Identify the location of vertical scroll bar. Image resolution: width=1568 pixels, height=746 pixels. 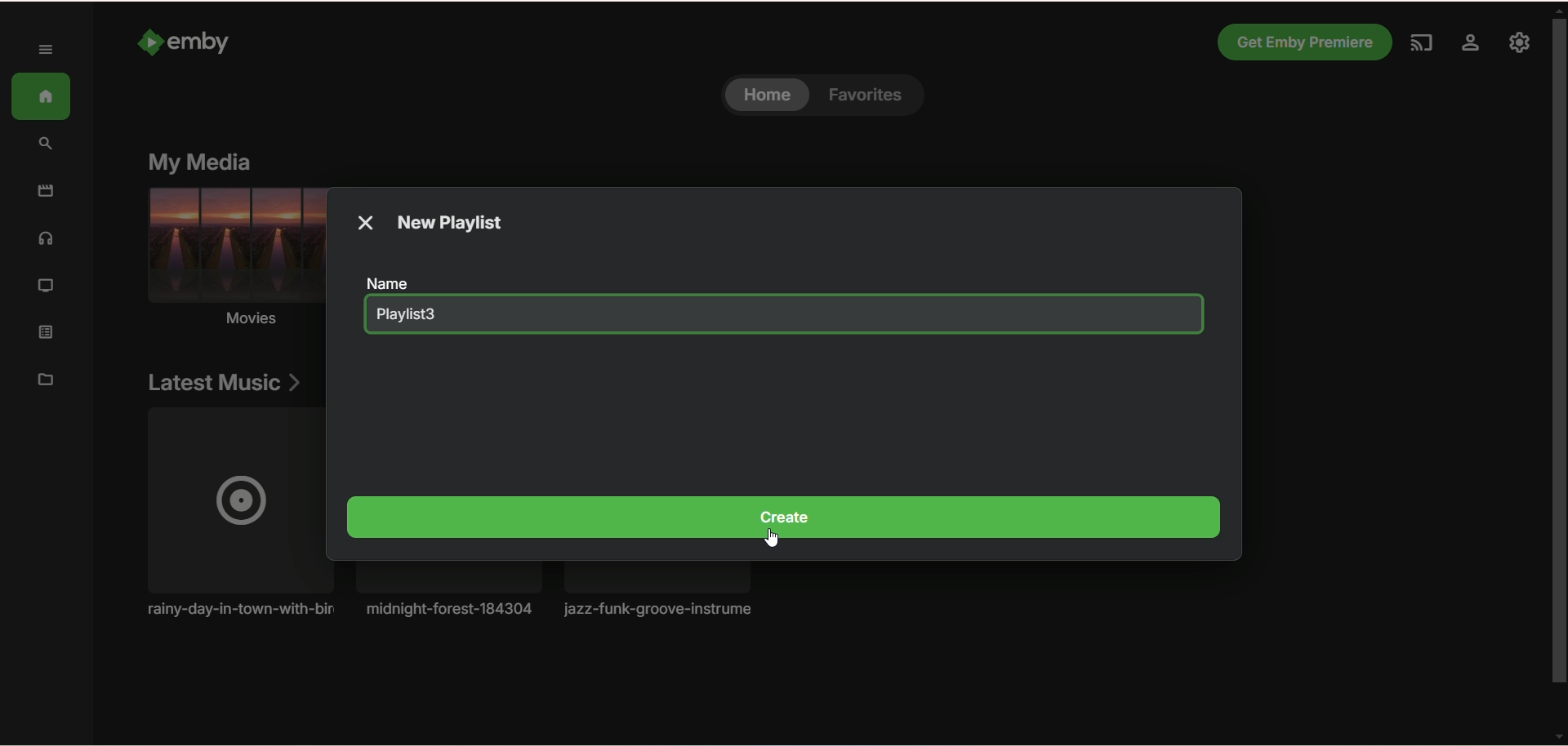
(1558, 371).